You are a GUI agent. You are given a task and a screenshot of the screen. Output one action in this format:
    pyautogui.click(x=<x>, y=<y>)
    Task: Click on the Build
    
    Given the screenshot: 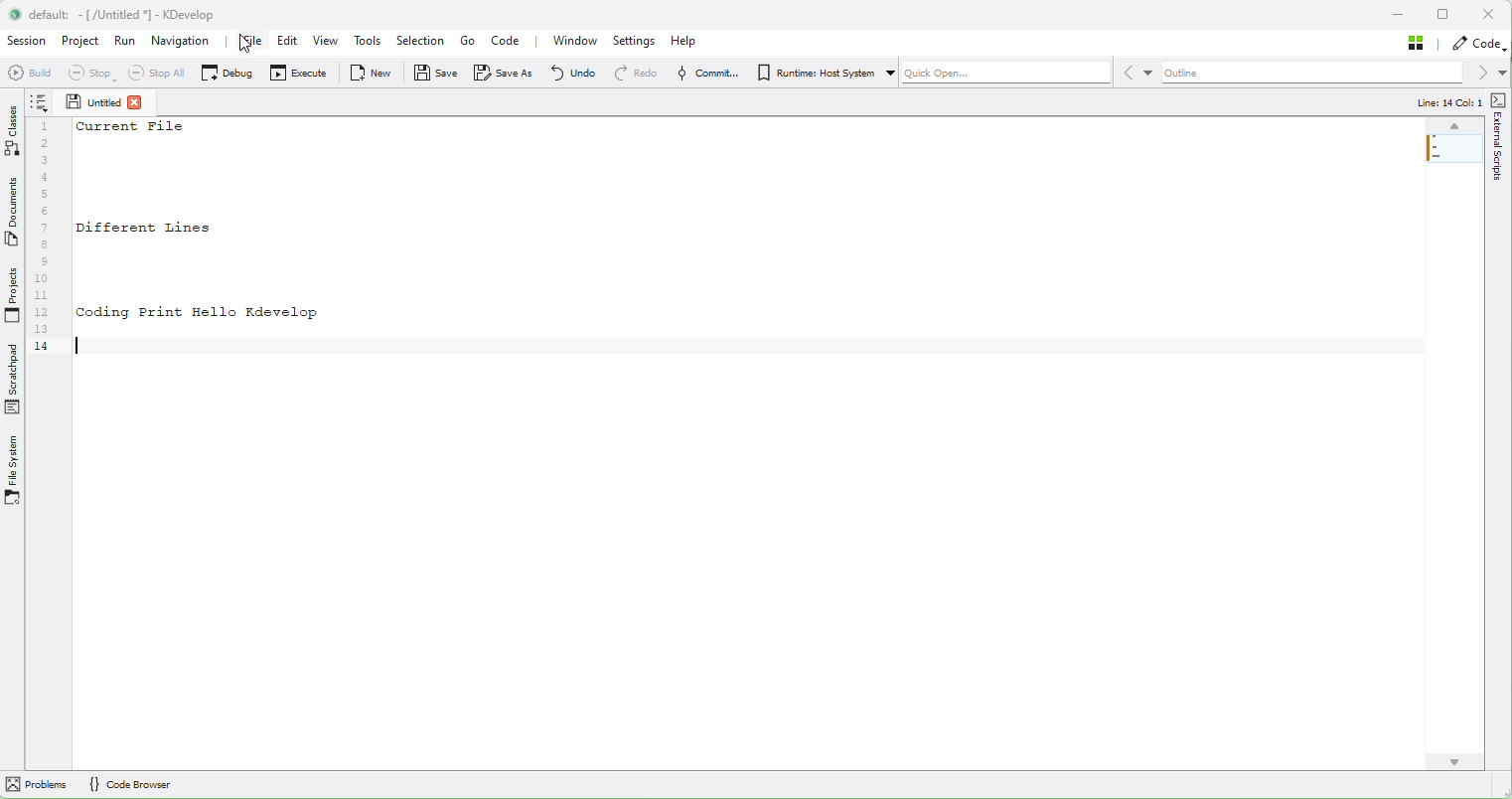 What is the action you would take?
    pyautogui.click(x=25, y=72)
    